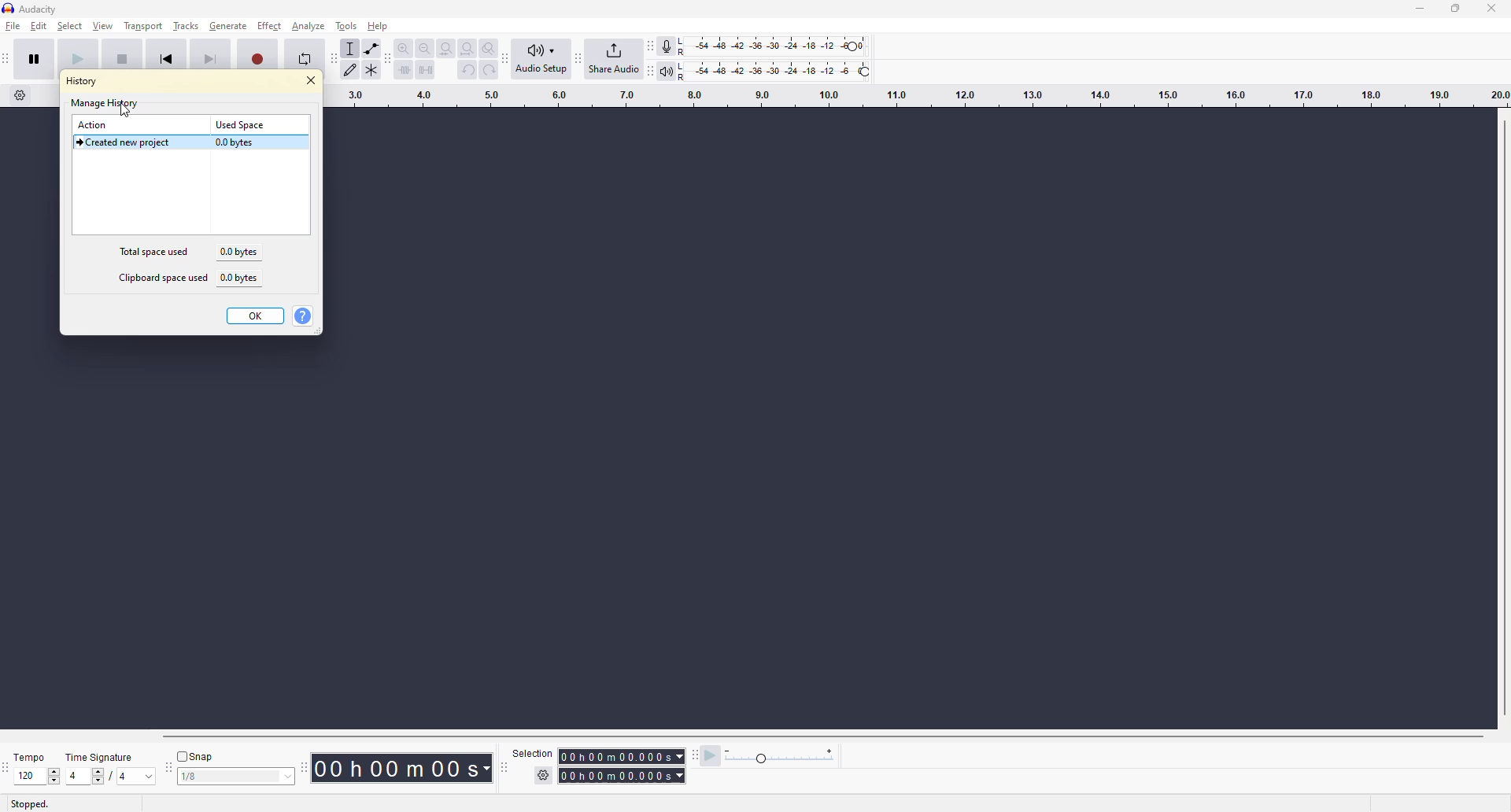 This screenshot has width=1511, height=812. I want to click on audio setup, so click(546, 58).